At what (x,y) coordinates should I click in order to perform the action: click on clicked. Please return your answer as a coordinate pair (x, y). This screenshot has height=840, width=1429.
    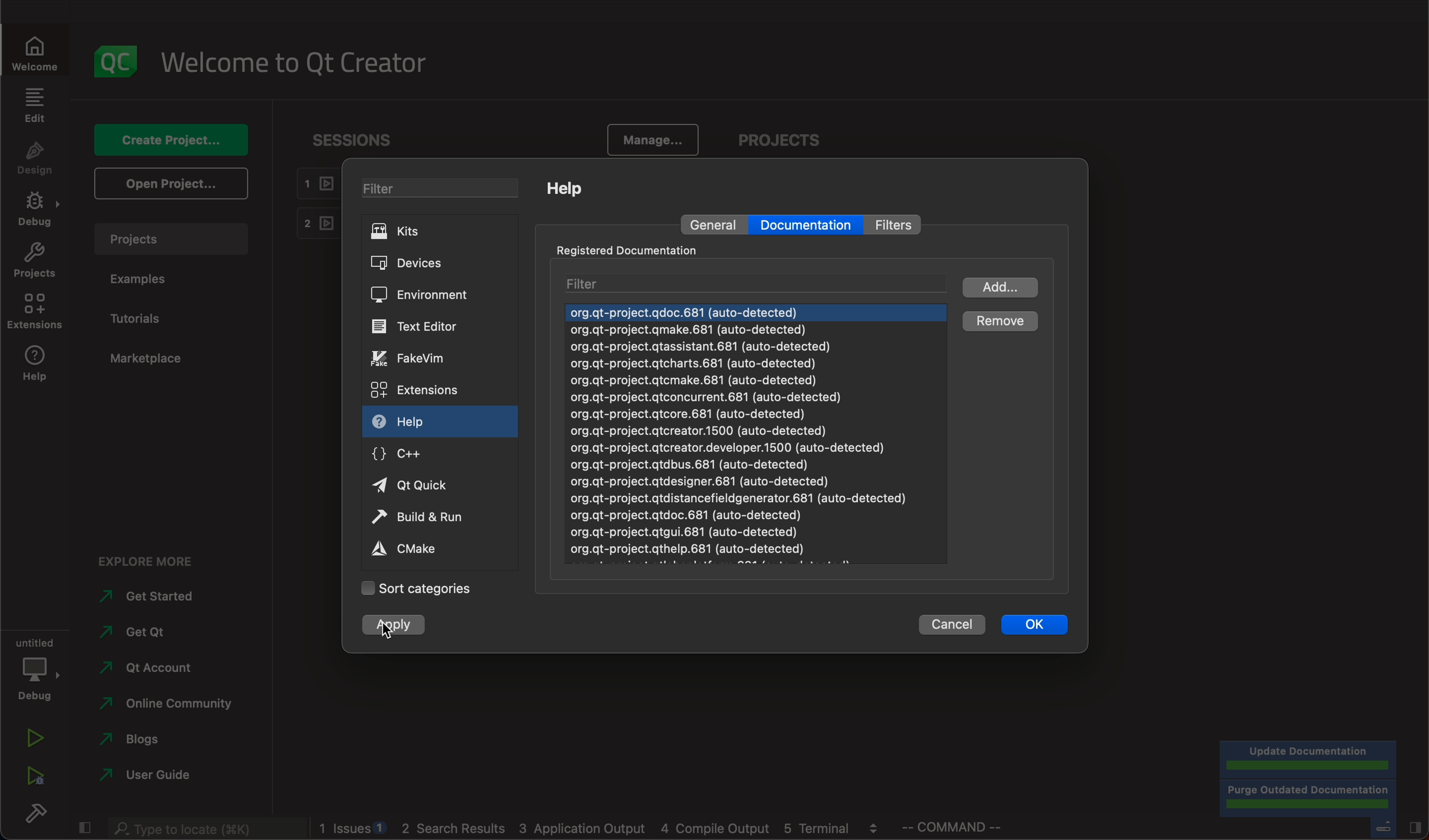
    Looking at the image, I should click on (999, 323).